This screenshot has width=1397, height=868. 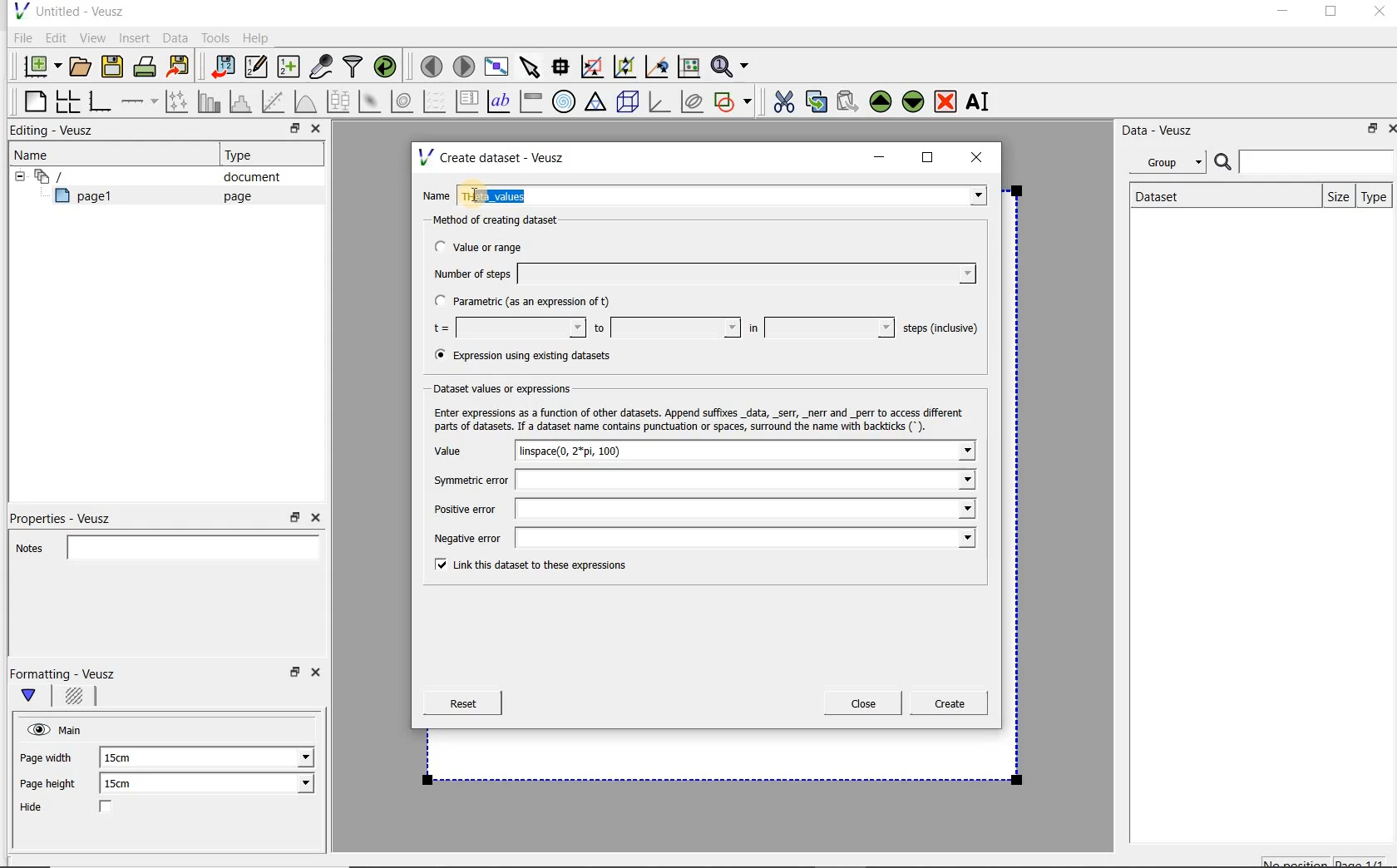 What do you see at coordinates (658, 67) in the screenshot?
I see `click to recenter graph axes` at bounding box center [658, 67].